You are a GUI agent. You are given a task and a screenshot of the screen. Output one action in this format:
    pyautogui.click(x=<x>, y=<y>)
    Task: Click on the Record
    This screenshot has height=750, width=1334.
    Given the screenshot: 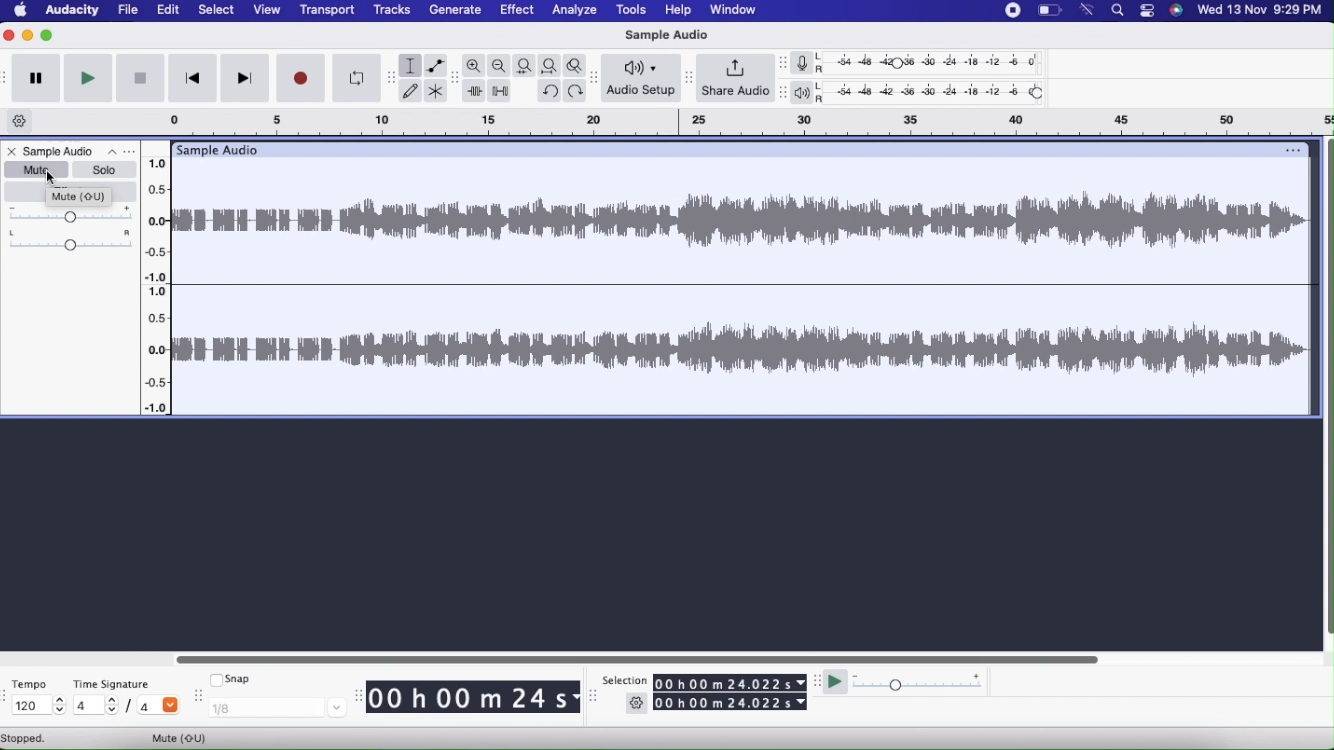 What is the action you would take?
    pyautogui.click(x=301, y=77)
    